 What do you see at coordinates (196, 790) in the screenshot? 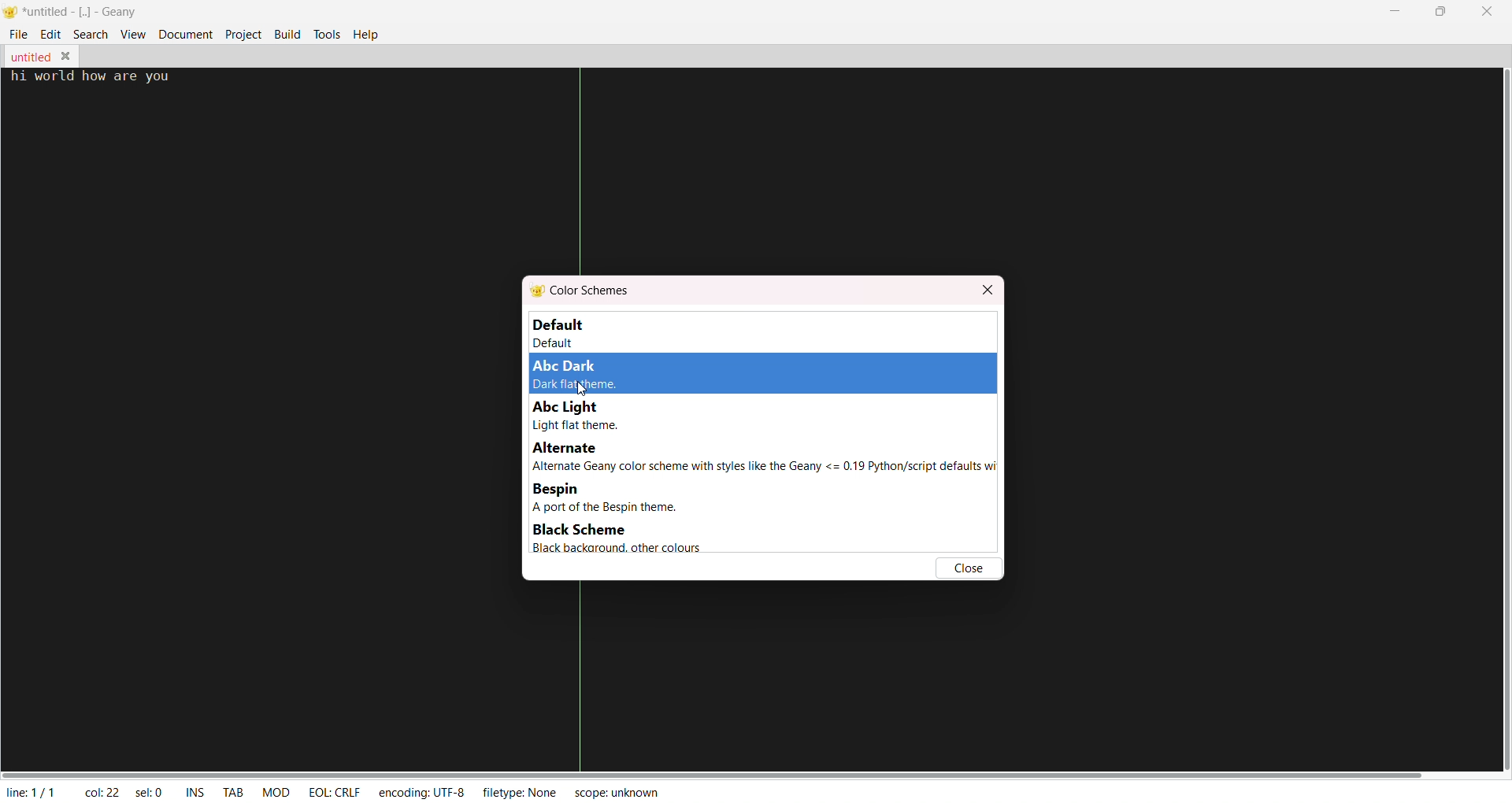
I see `ins` at bounding box center [196, 790].